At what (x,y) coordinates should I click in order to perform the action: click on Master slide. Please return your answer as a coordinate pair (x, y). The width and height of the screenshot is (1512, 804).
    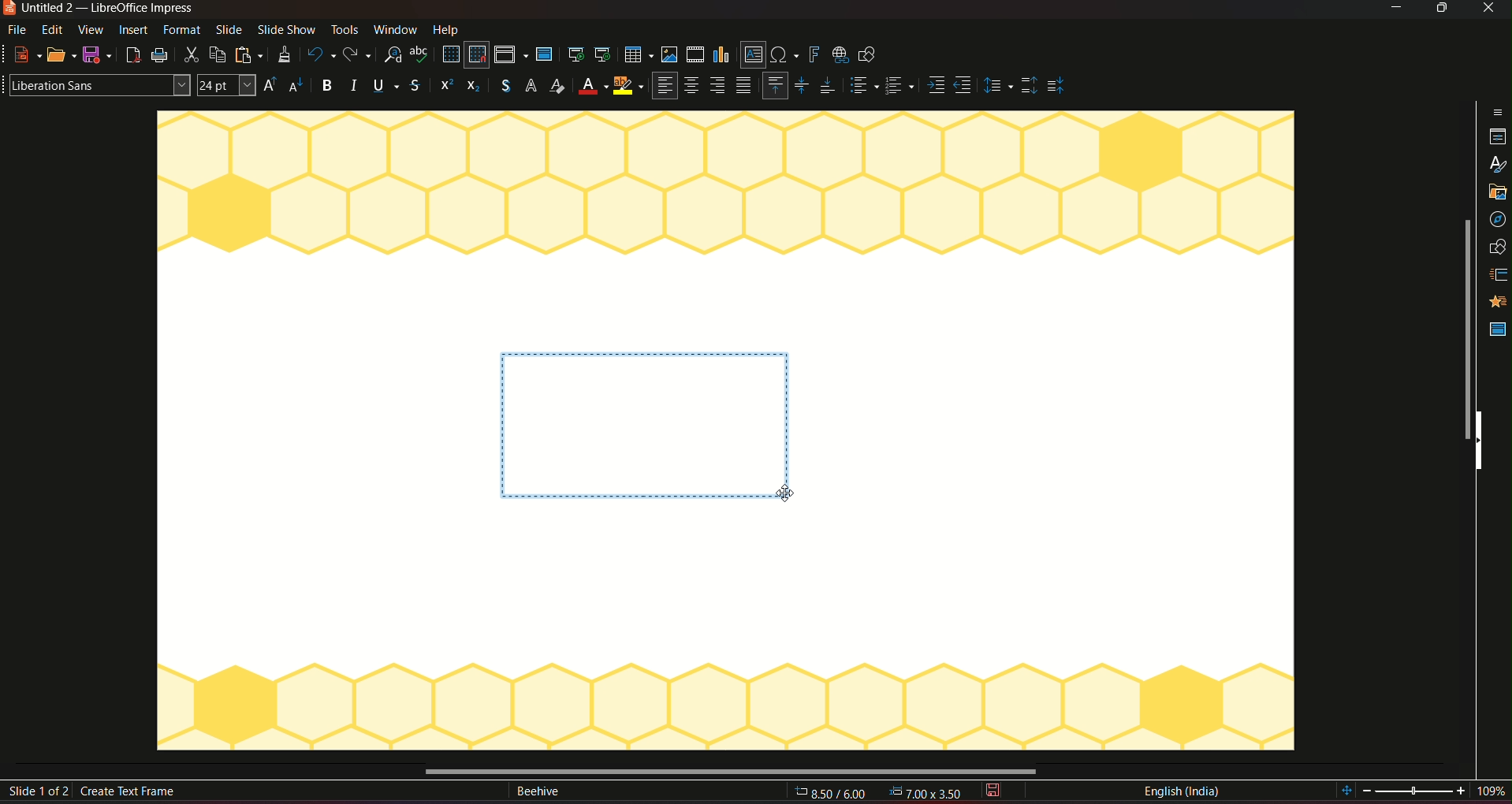
    Looking at the image, I should click on (1496, 330).